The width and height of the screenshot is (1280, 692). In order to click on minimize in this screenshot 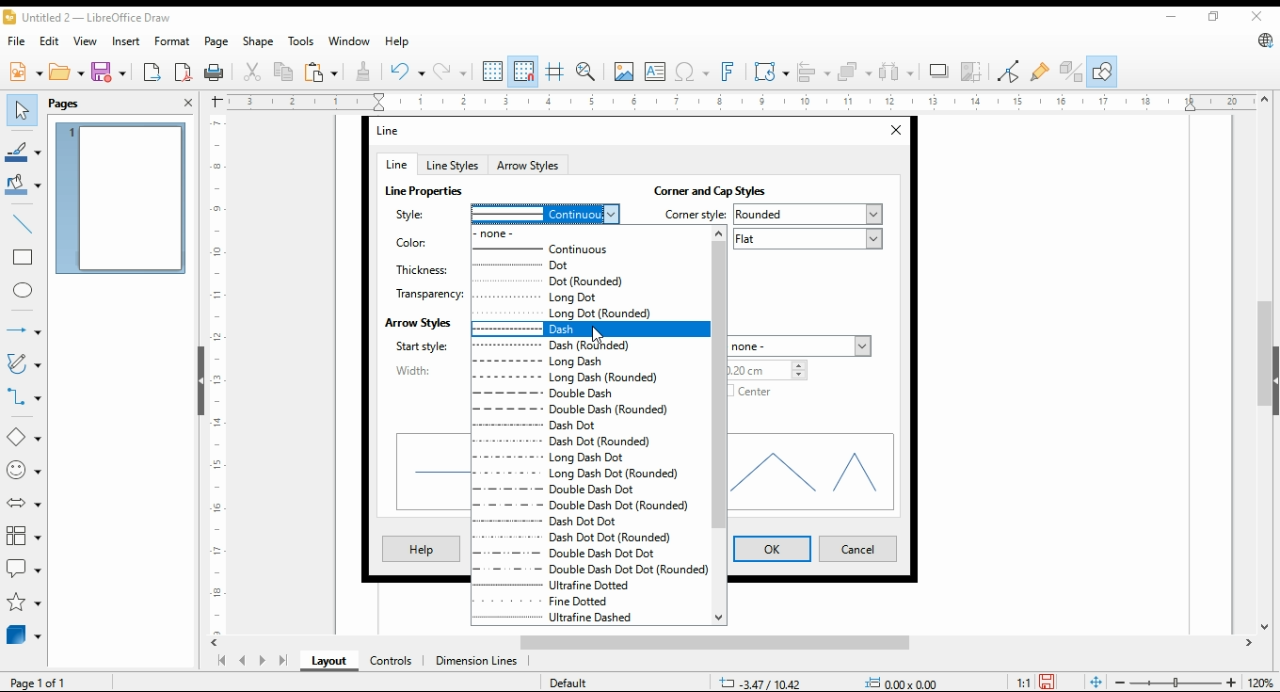, I will do `click(1174, 13)`.